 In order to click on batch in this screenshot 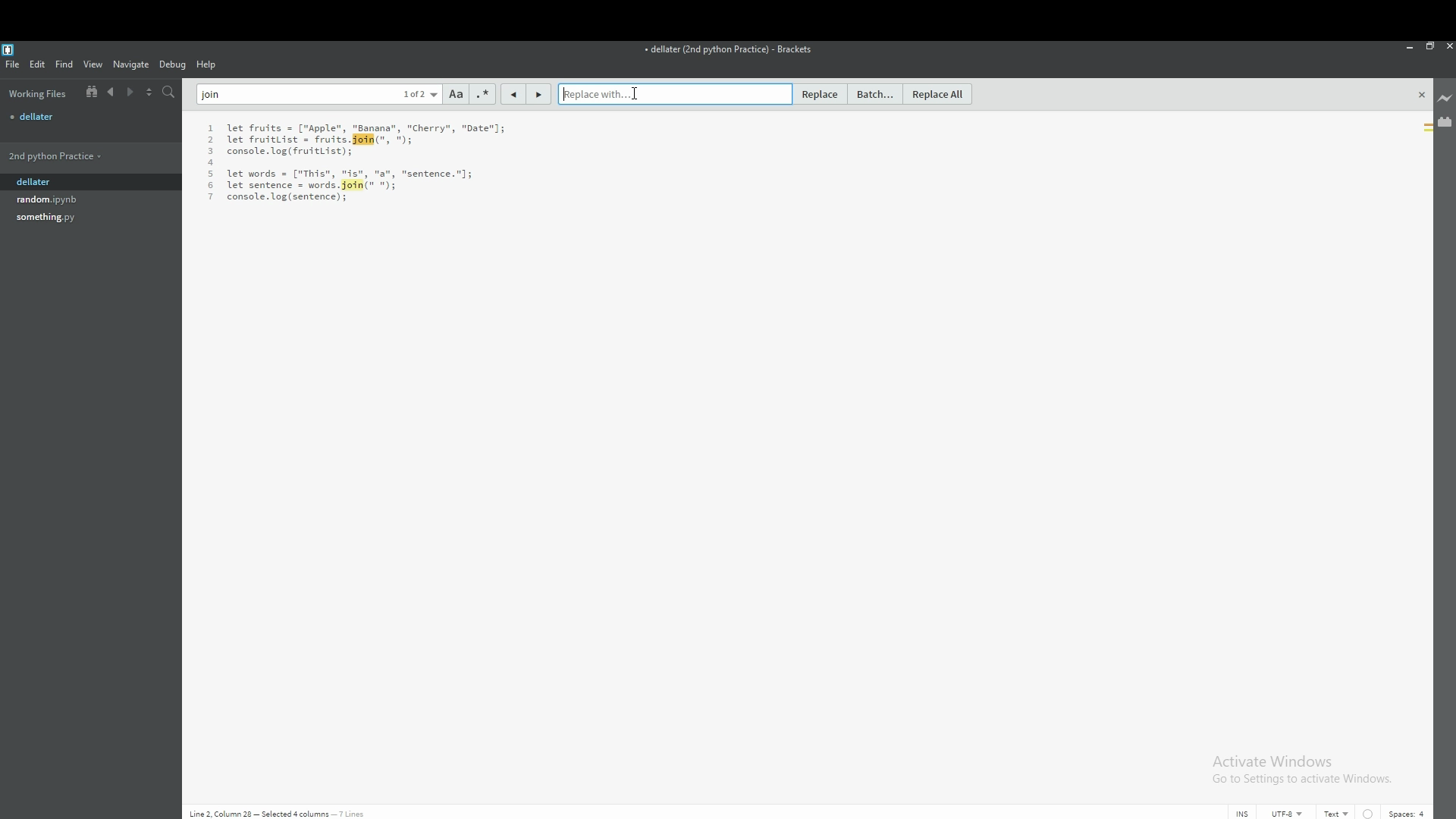, I will do `click(877, 95)`.